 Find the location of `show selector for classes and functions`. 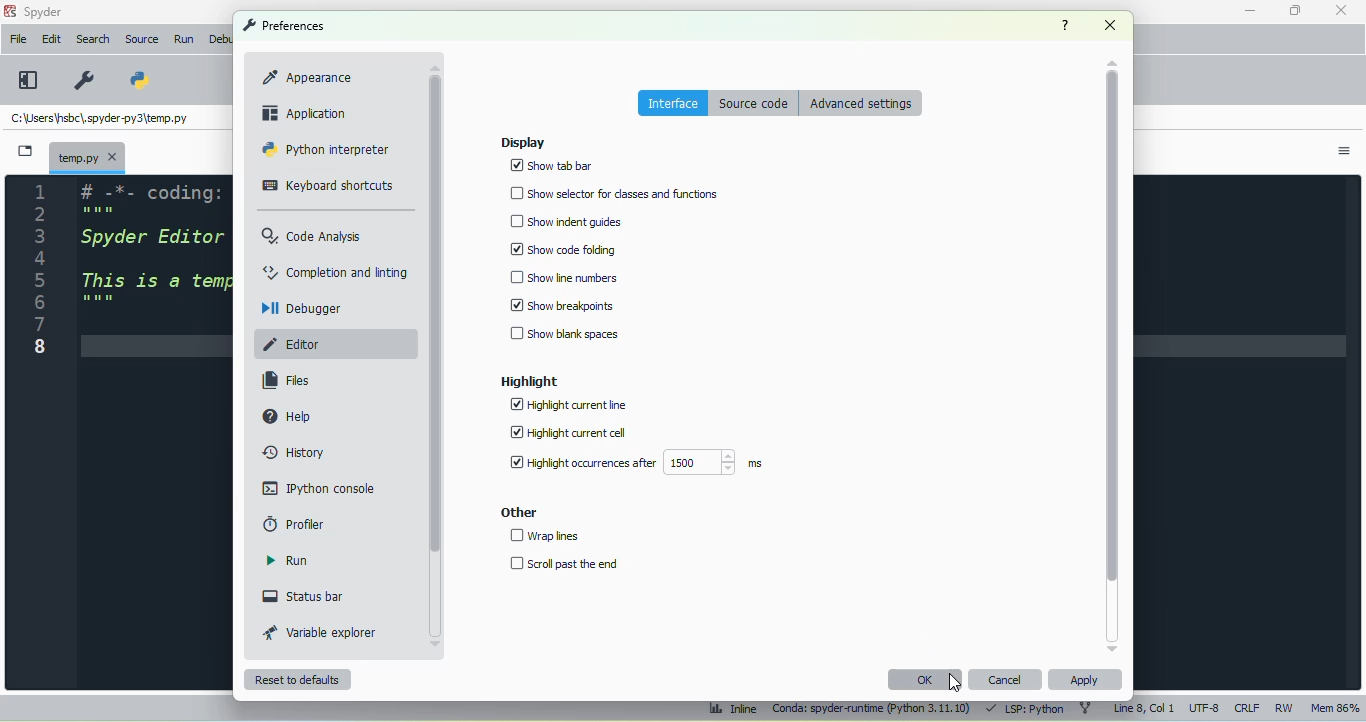

show selector for classes and functions is located at coordinates (616, 193).